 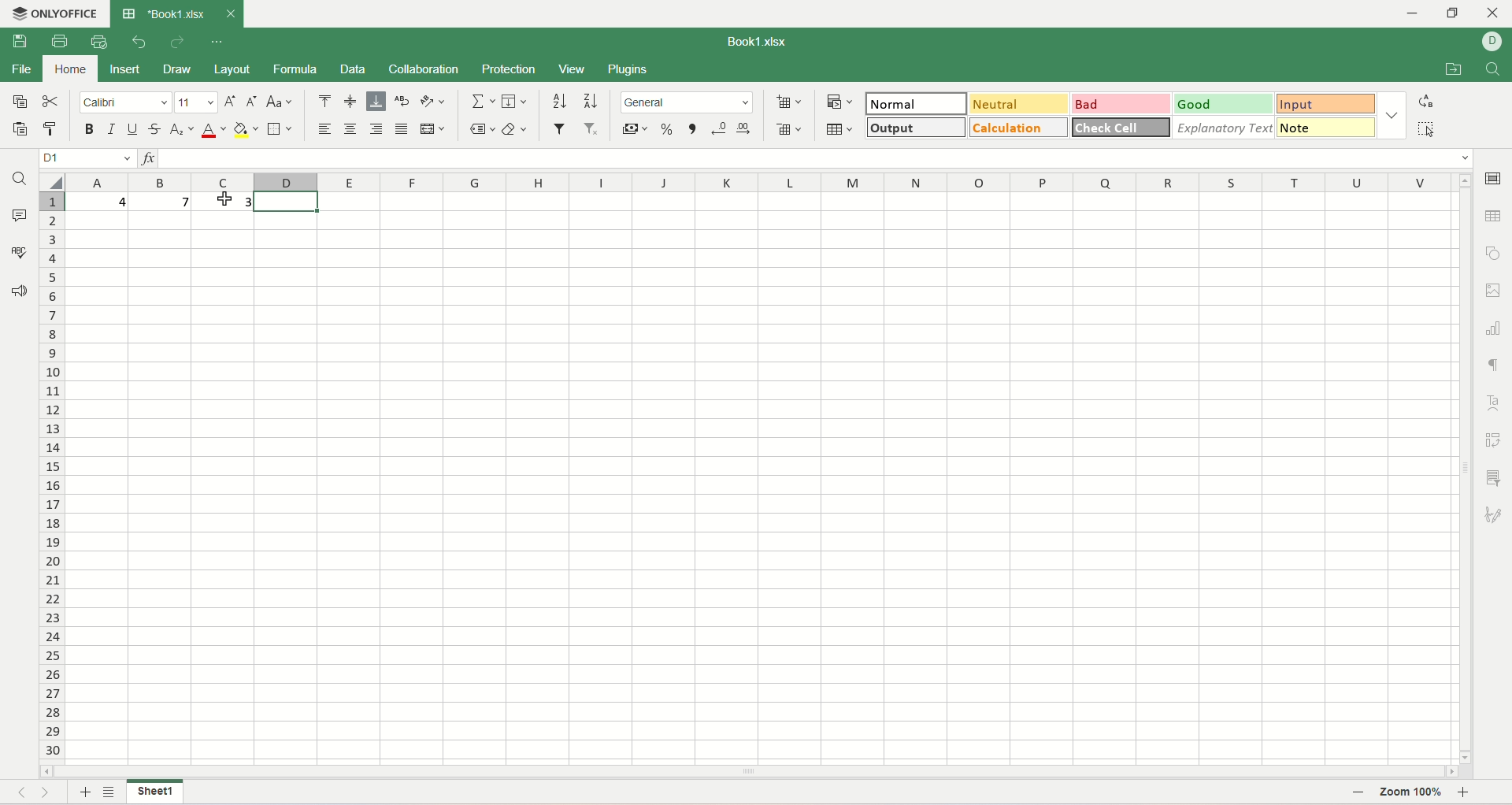 I want to click on horiontal scroll, so click(x=750, y=773).